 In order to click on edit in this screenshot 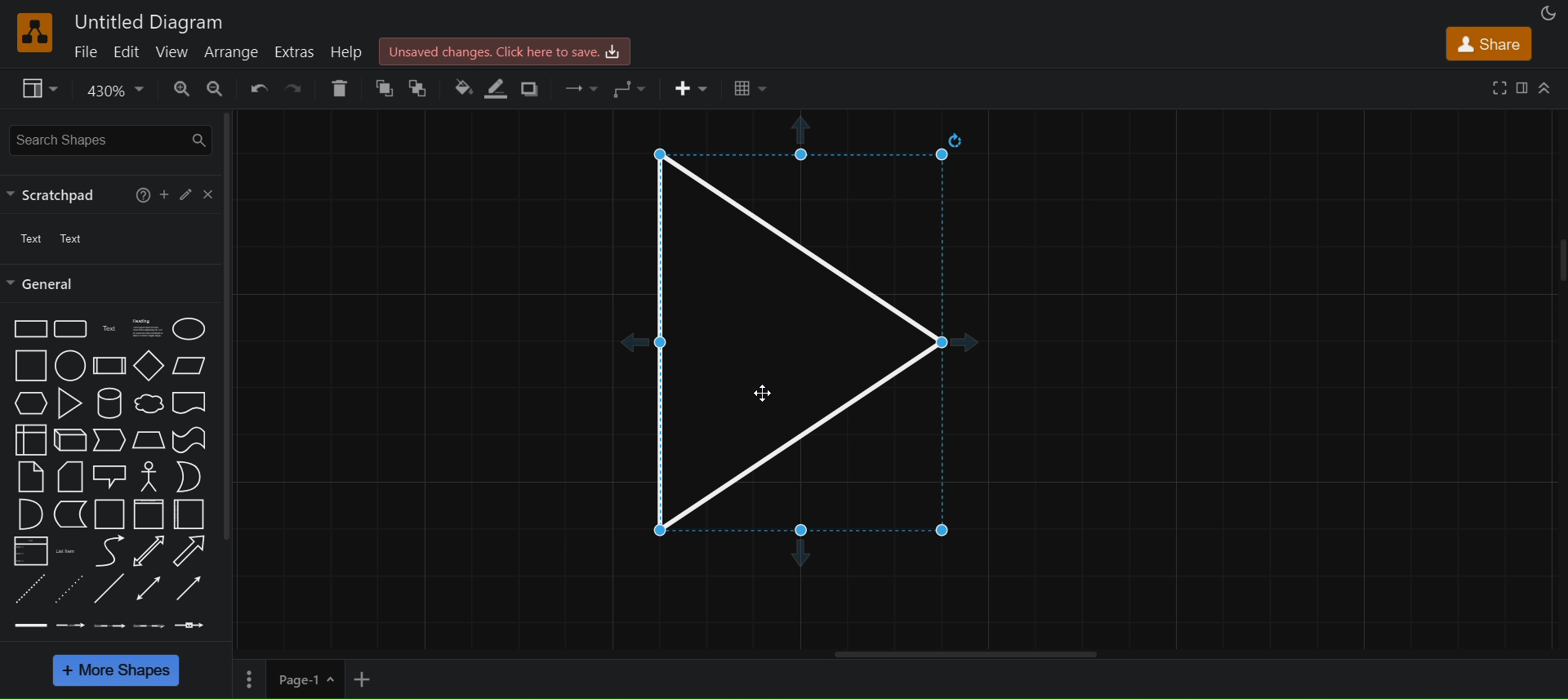, I will do `click(128, 51)`.